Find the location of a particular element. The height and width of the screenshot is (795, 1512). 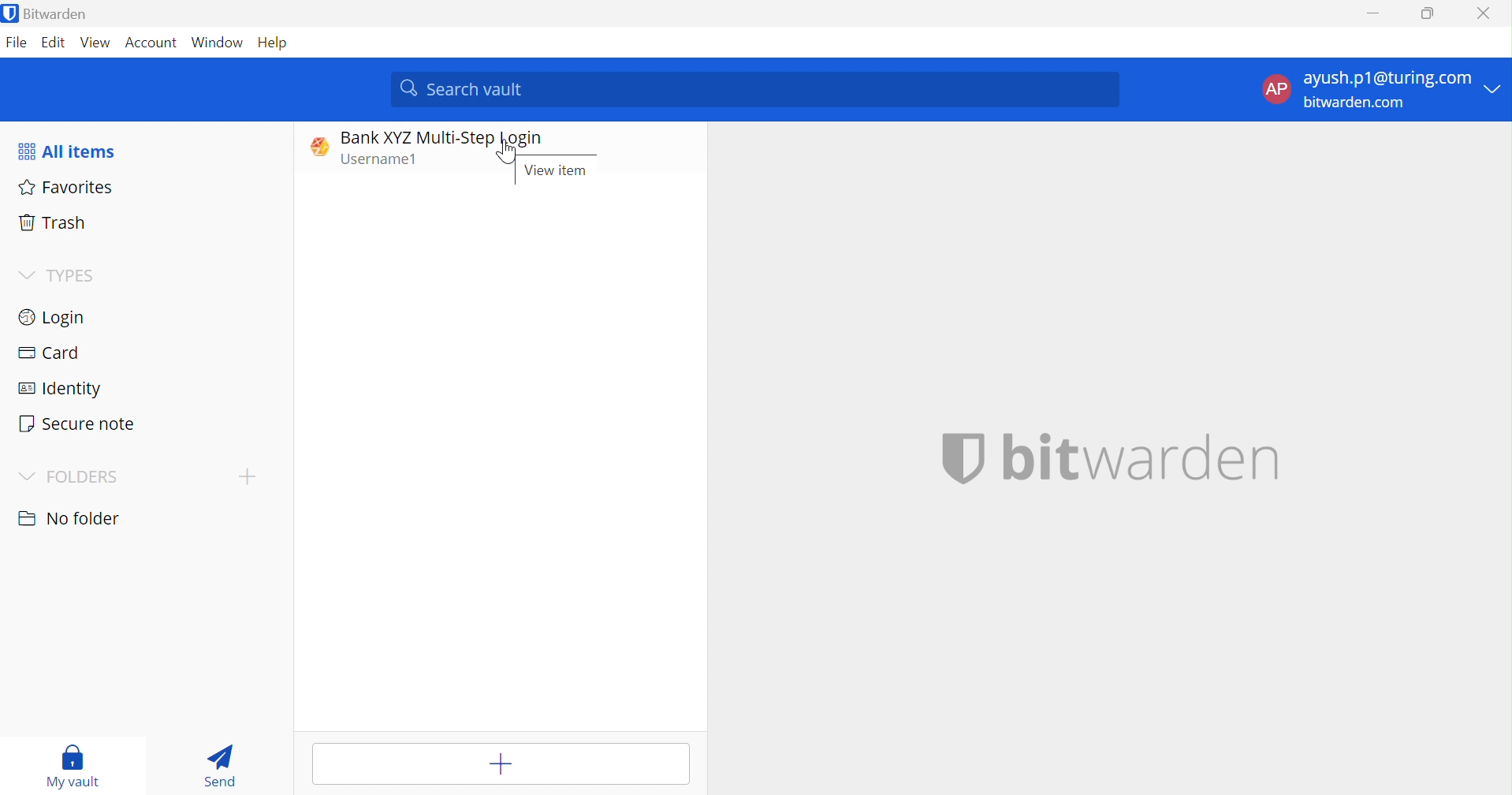

No folder is located at coordinates (73, 519).